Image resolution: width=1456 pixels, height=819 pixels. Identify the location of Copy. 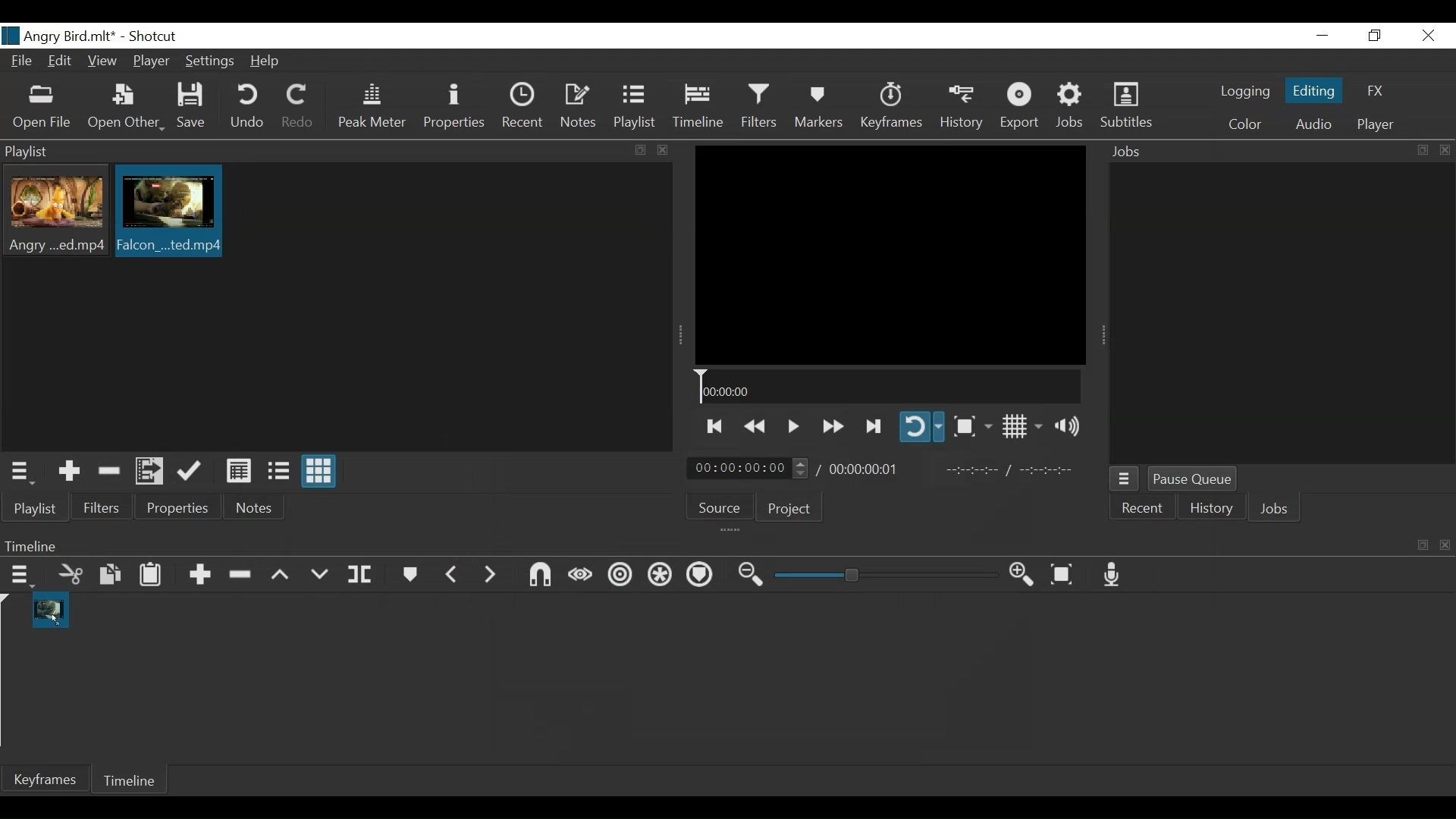
(112, 577).